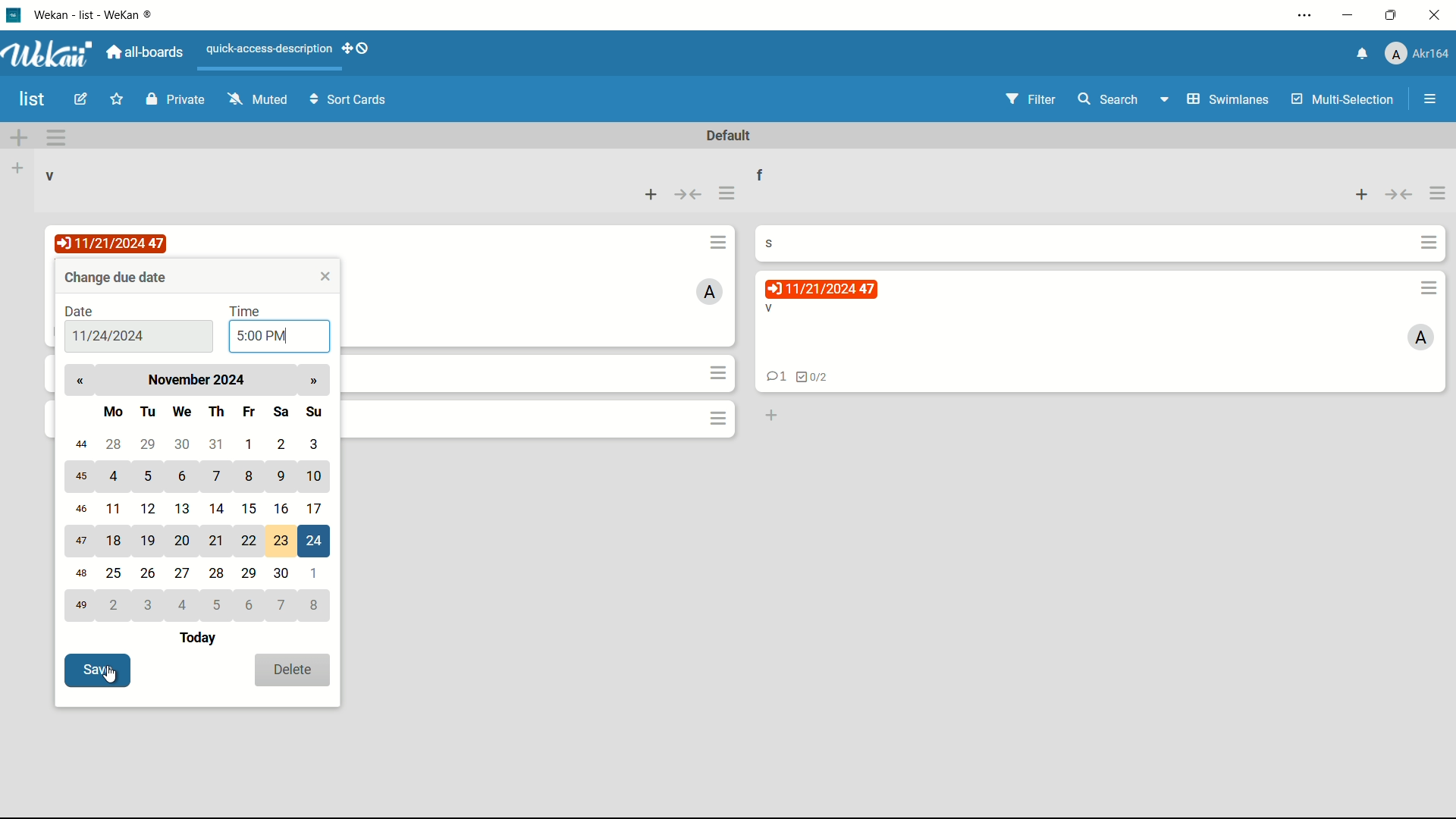 Image resolution: width=1456 pixels, height=819 pixels. What do you see at coordinates (117, 510) in the screenshot?
I see `11` at bounding box center [117, 510].